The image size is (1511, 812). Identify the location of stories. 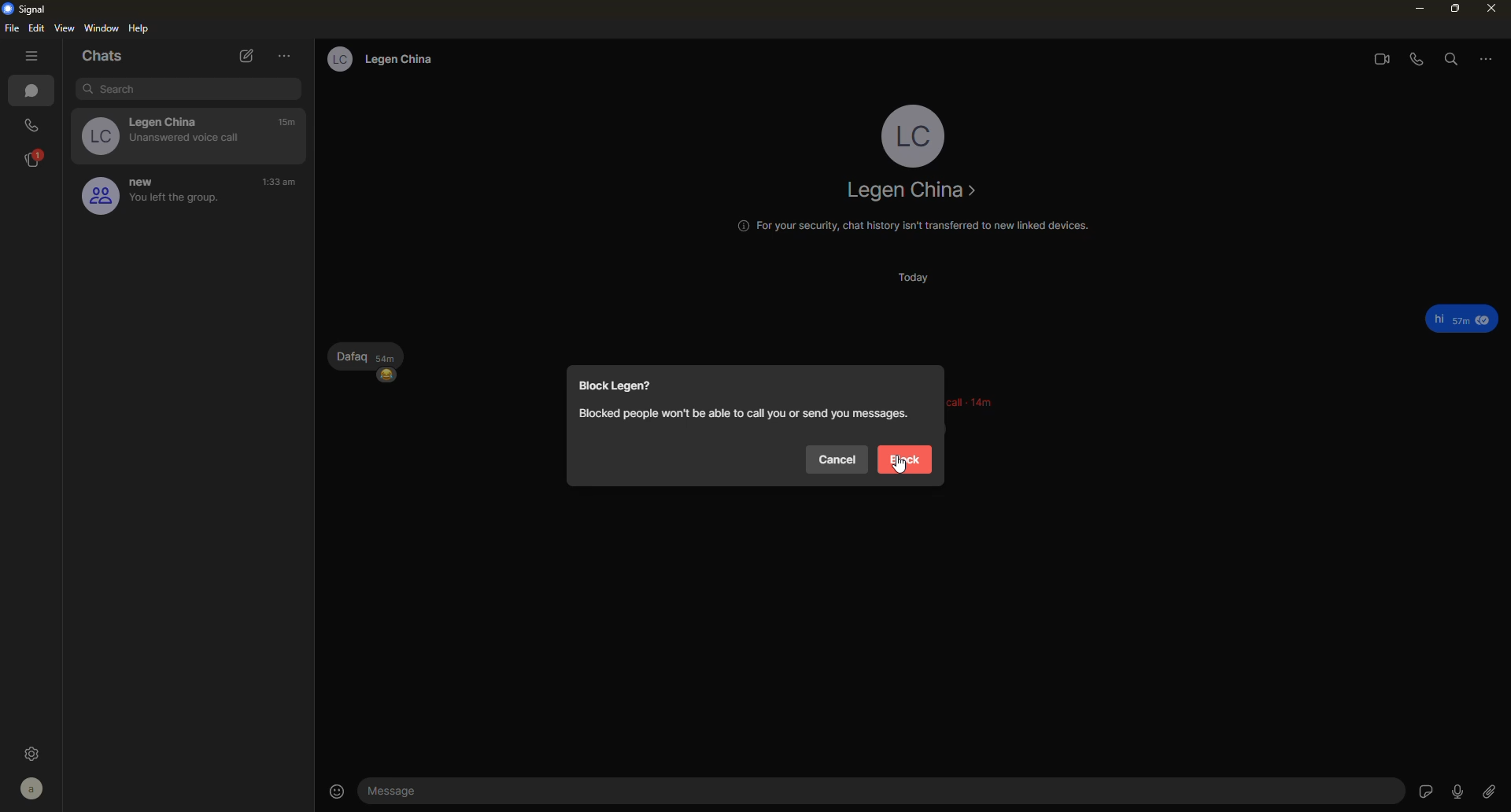
(35, 158).